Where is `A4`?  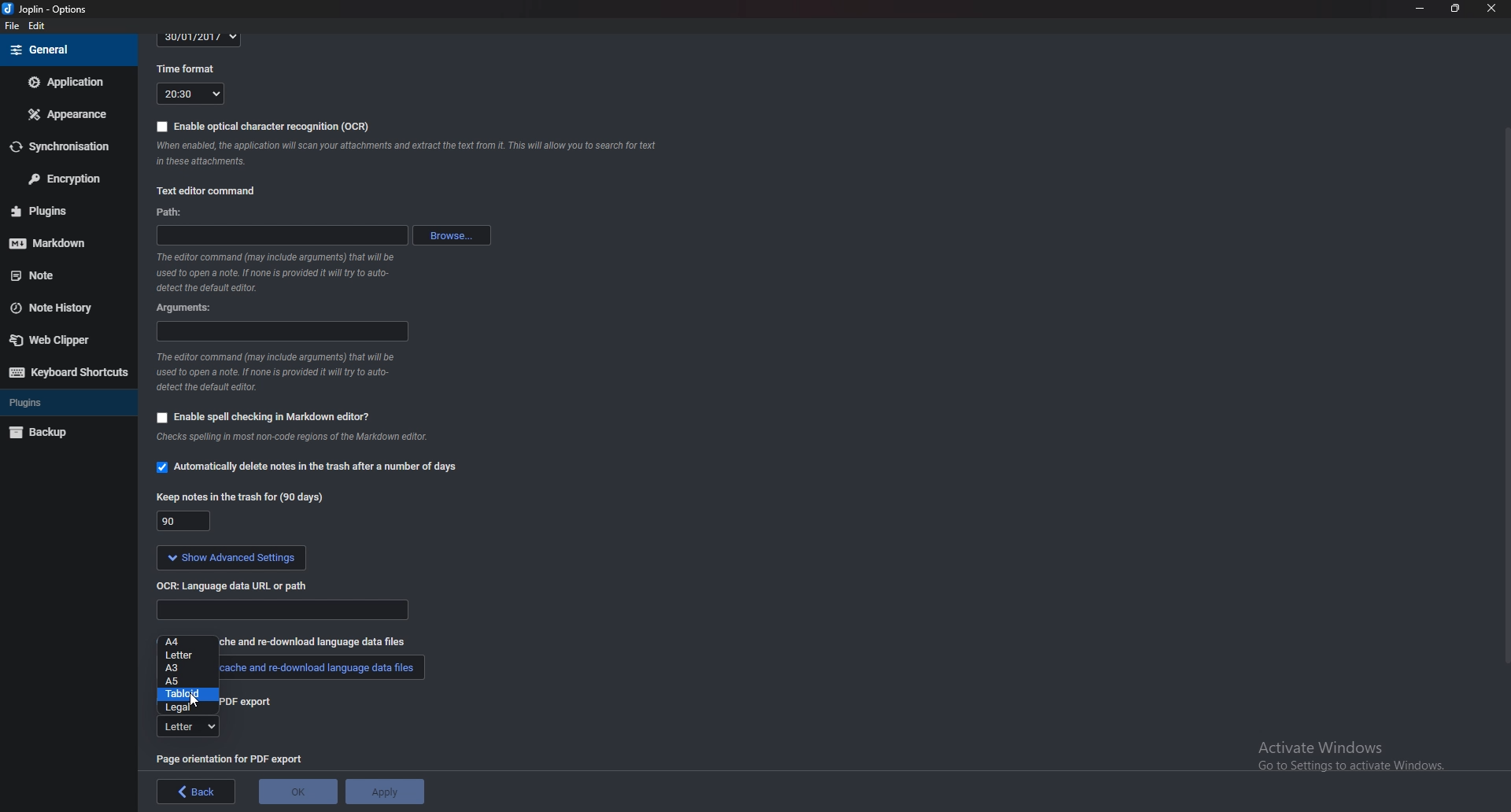
A4 is located at coordinates (189, 643).